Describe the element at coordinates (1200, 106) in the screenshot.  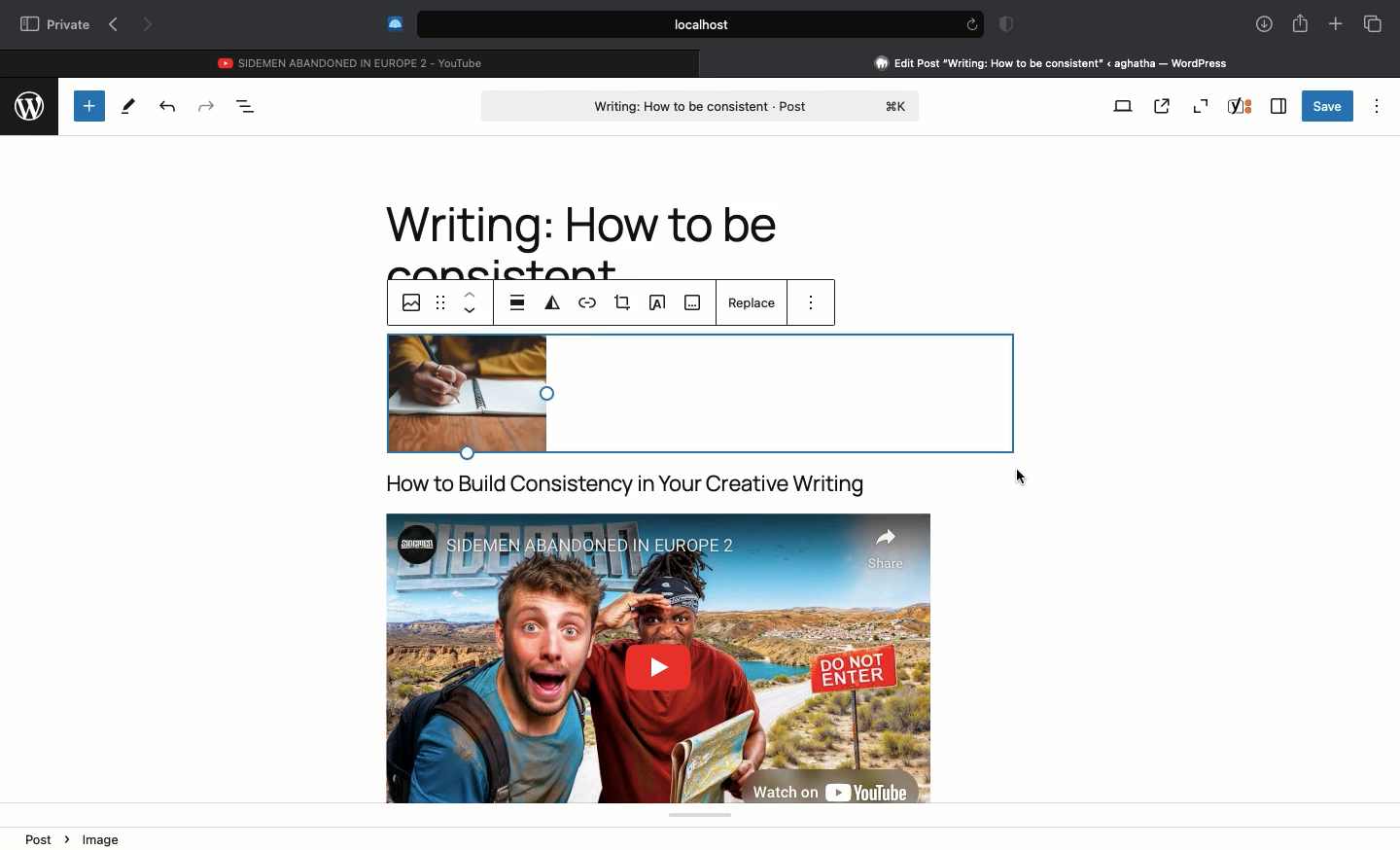
I see `Zoom out` at that location.